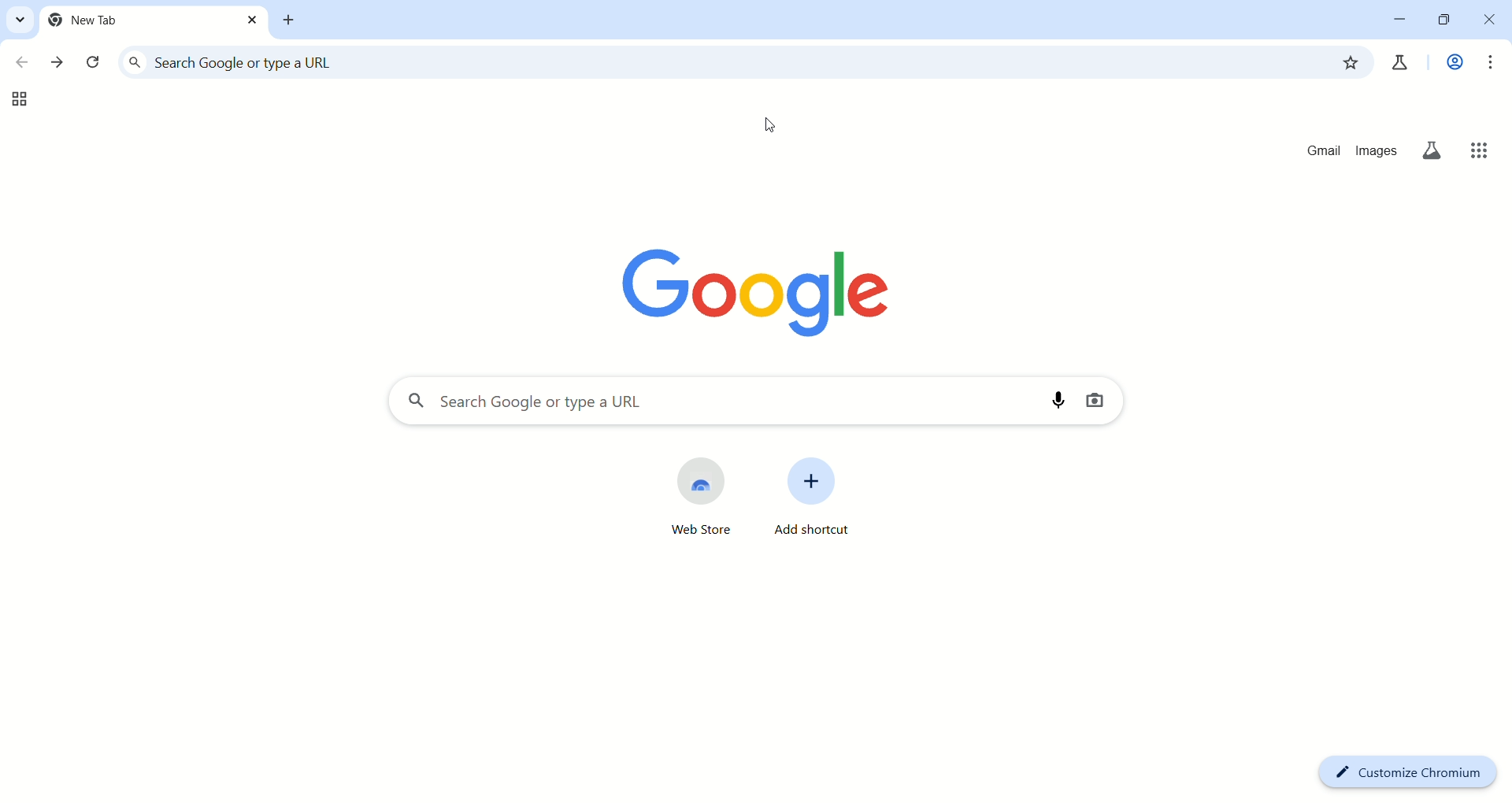 The width and height of the screenshot is (1512, 803). What do you see at coordinates (20, 95) in the screenshot?
I see `tab groups` at bounding box center [20, 95].